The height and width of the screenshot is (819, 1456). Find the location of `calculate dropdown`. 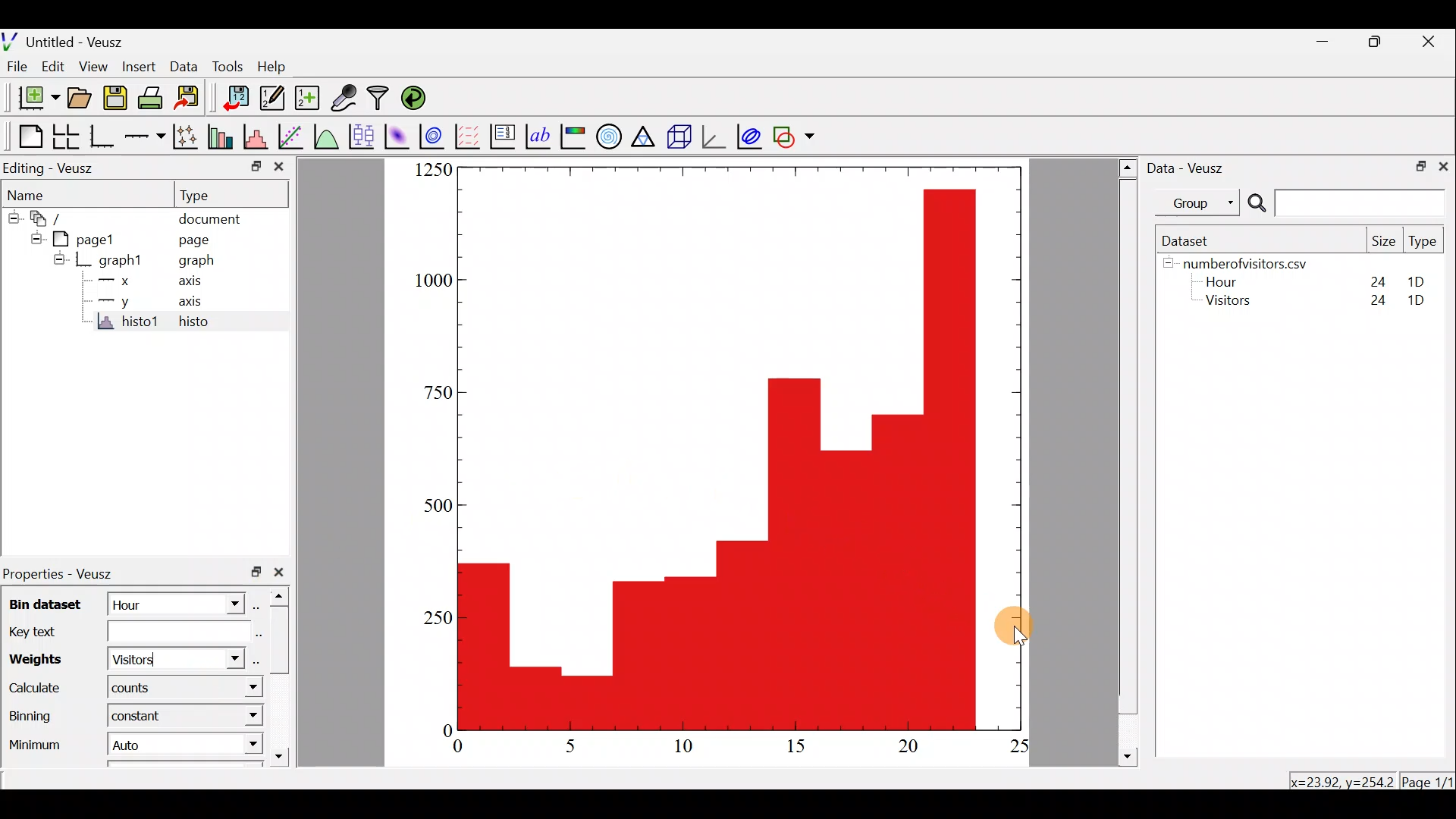

calculate dropdown is located at coordinates (240, 687).